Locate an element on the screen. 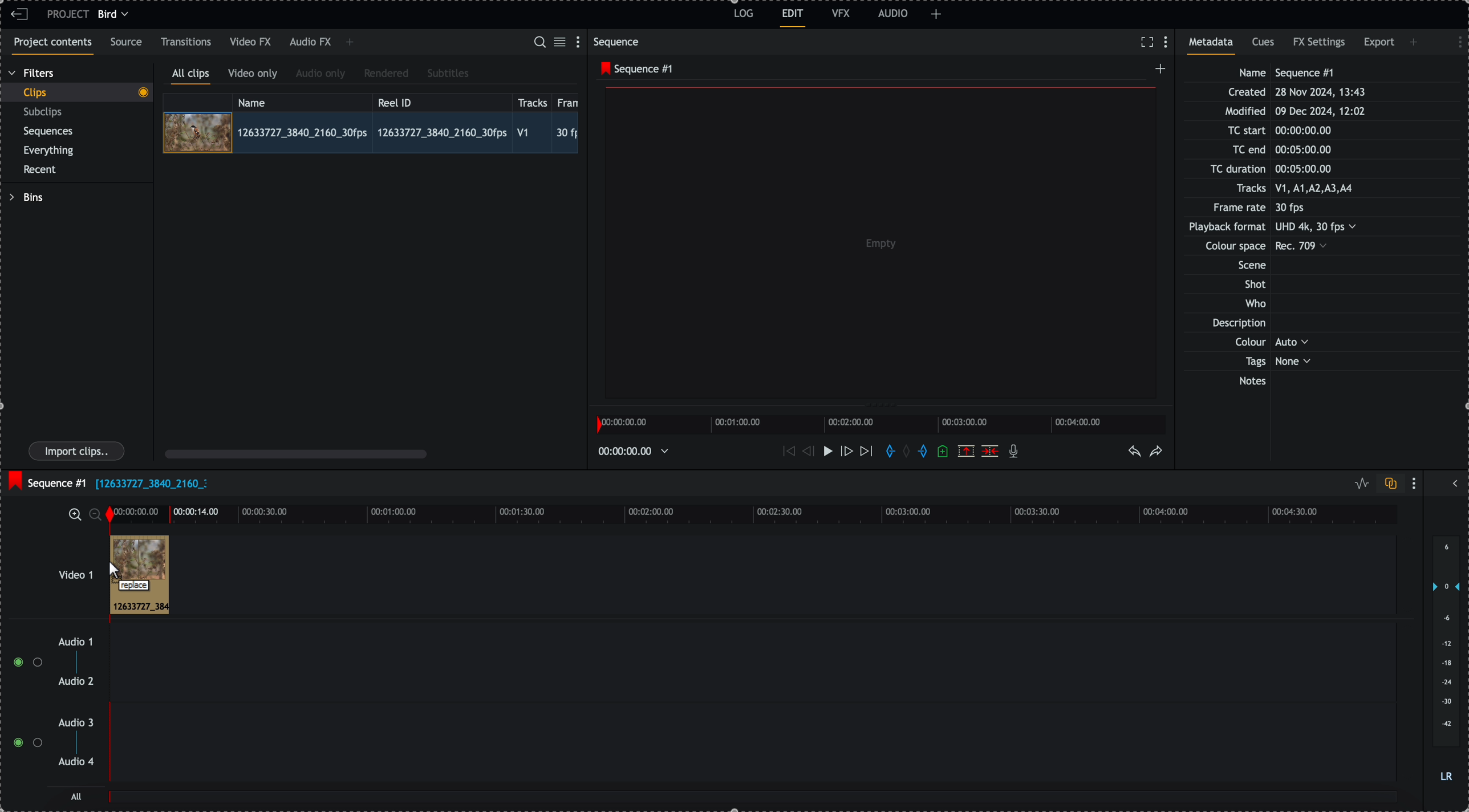  FX settings is located at coordinates (1320, 44).